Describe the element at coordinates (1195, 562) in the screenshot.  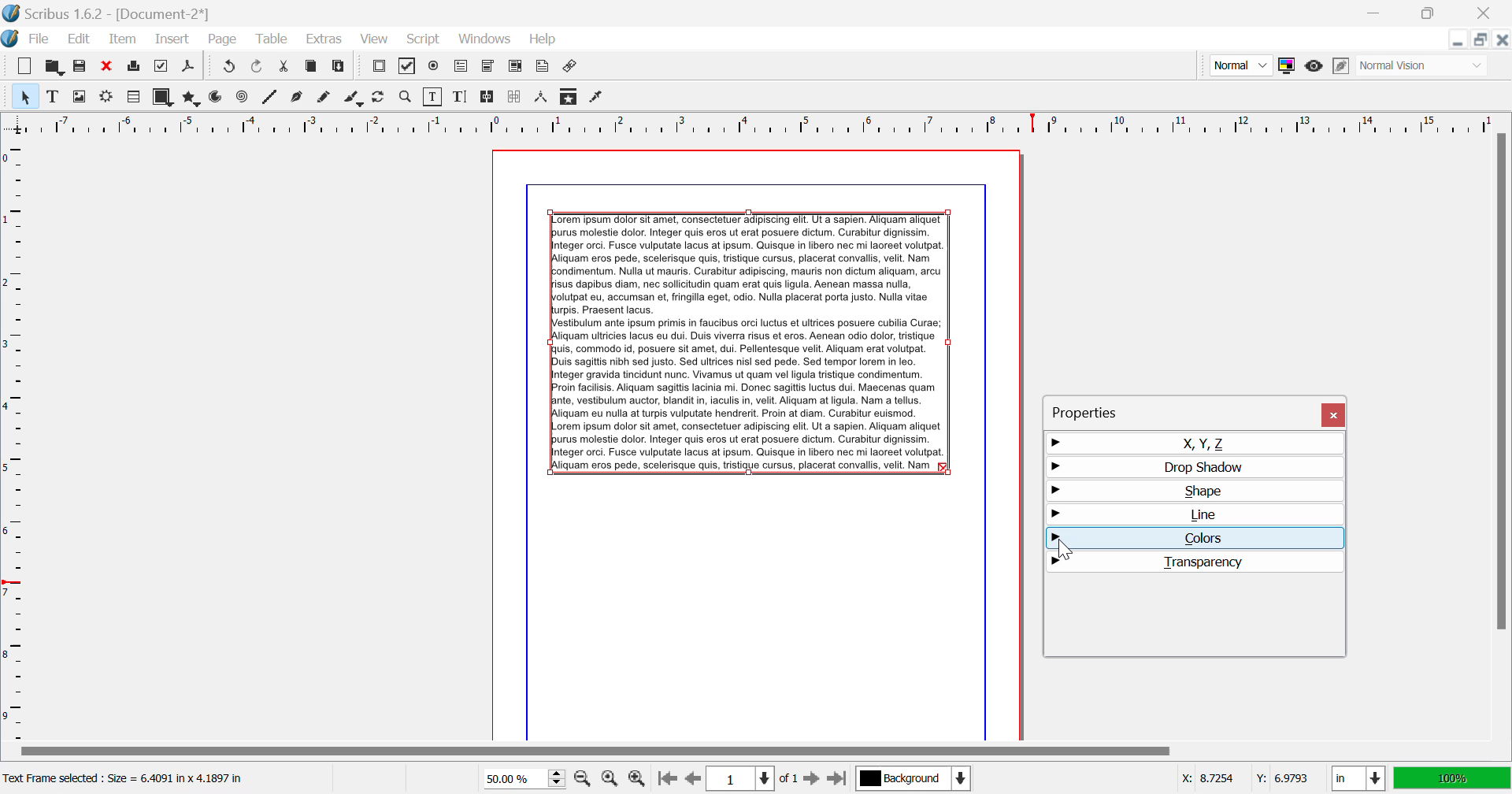
I see `Transparency` at that location.